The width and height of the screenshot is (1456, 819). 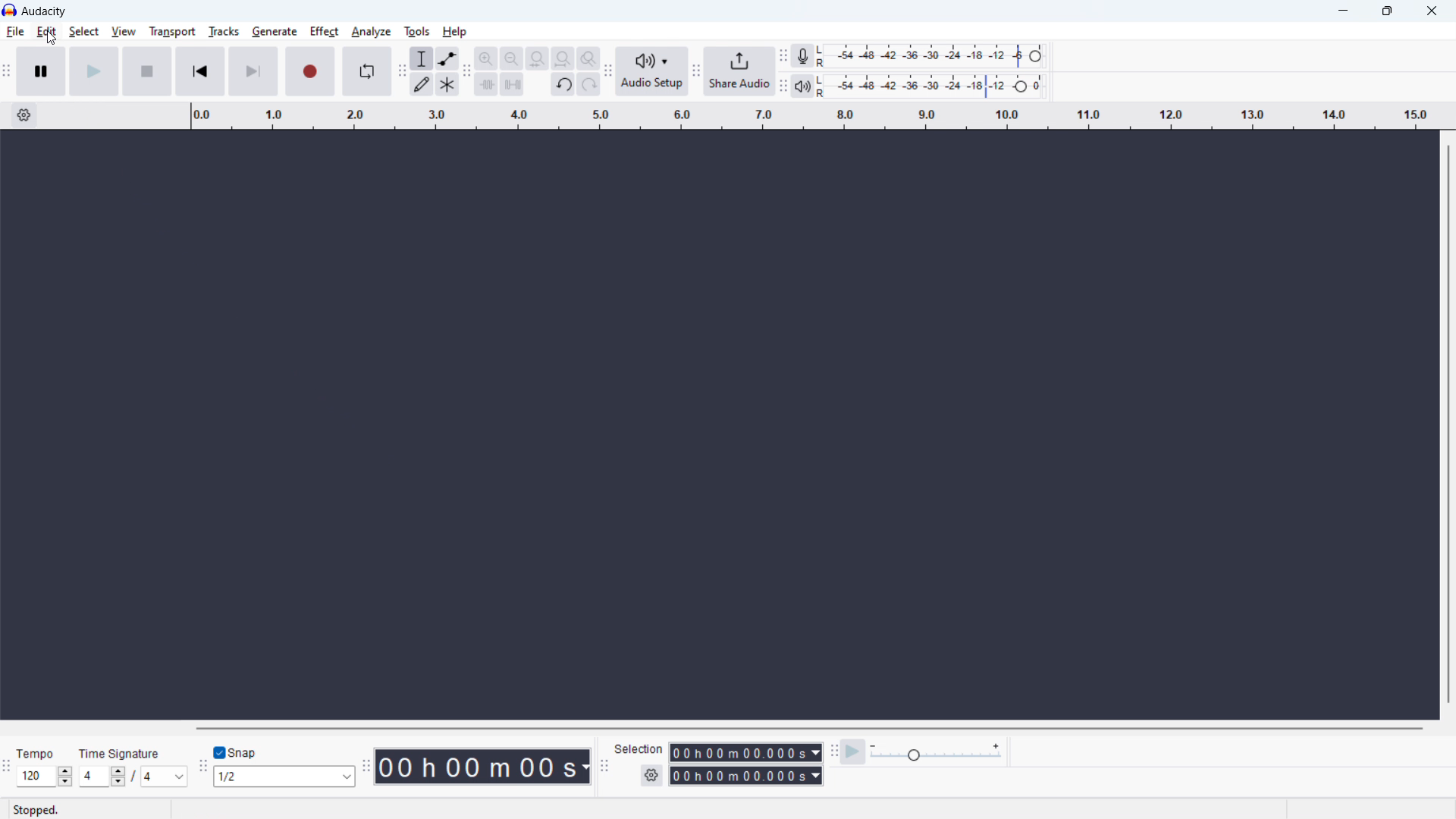 What do you see at coordinates (200, 71) in the screenshot?
I see `skip to start` at bounding box center [200, 71].